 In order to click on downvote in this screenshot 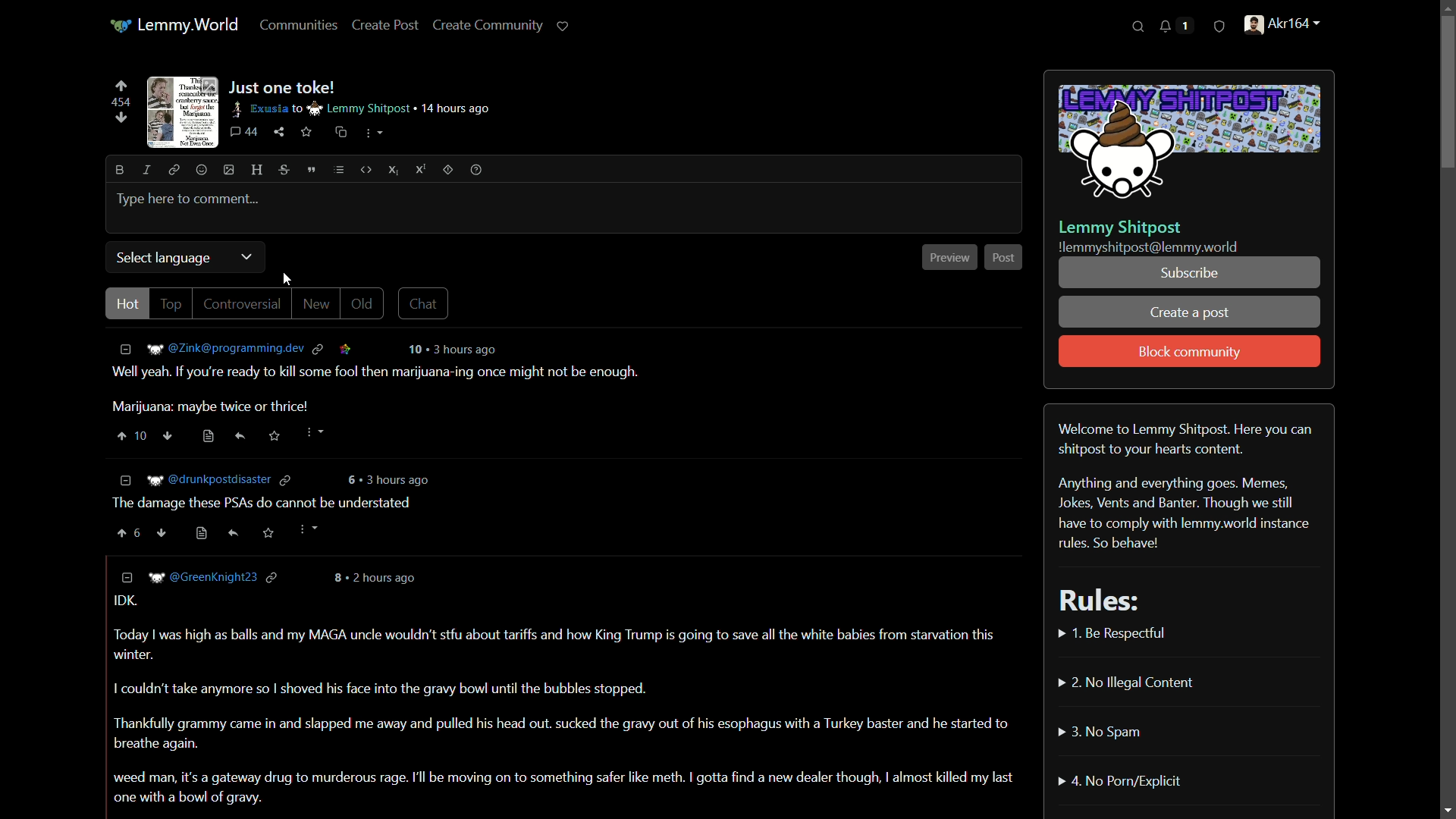, I will do `click(161, 535)`.